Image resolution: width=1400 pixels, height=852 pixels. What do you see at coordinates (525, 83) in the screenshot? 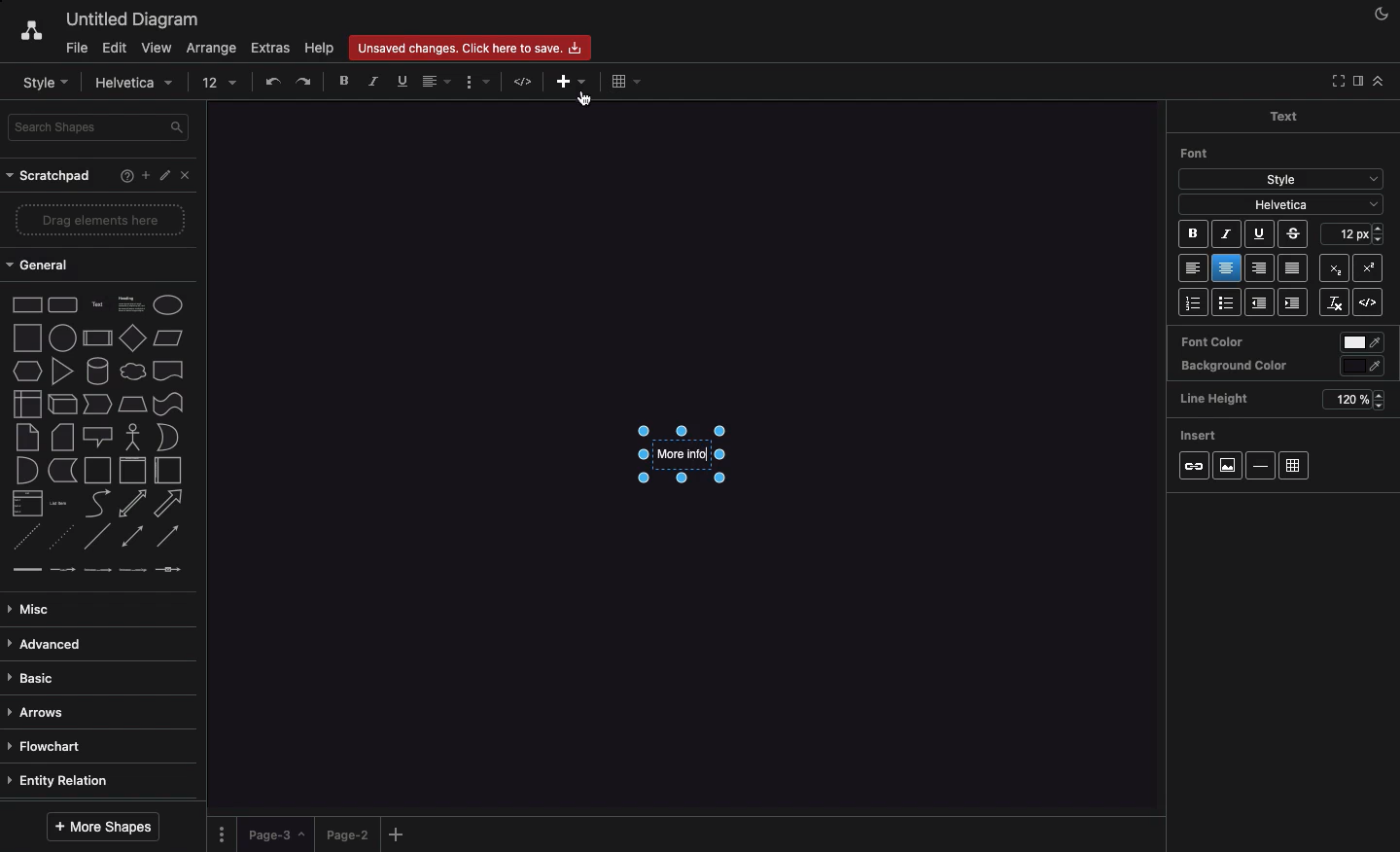
I see `HTML` at bounding box center [525, 83].